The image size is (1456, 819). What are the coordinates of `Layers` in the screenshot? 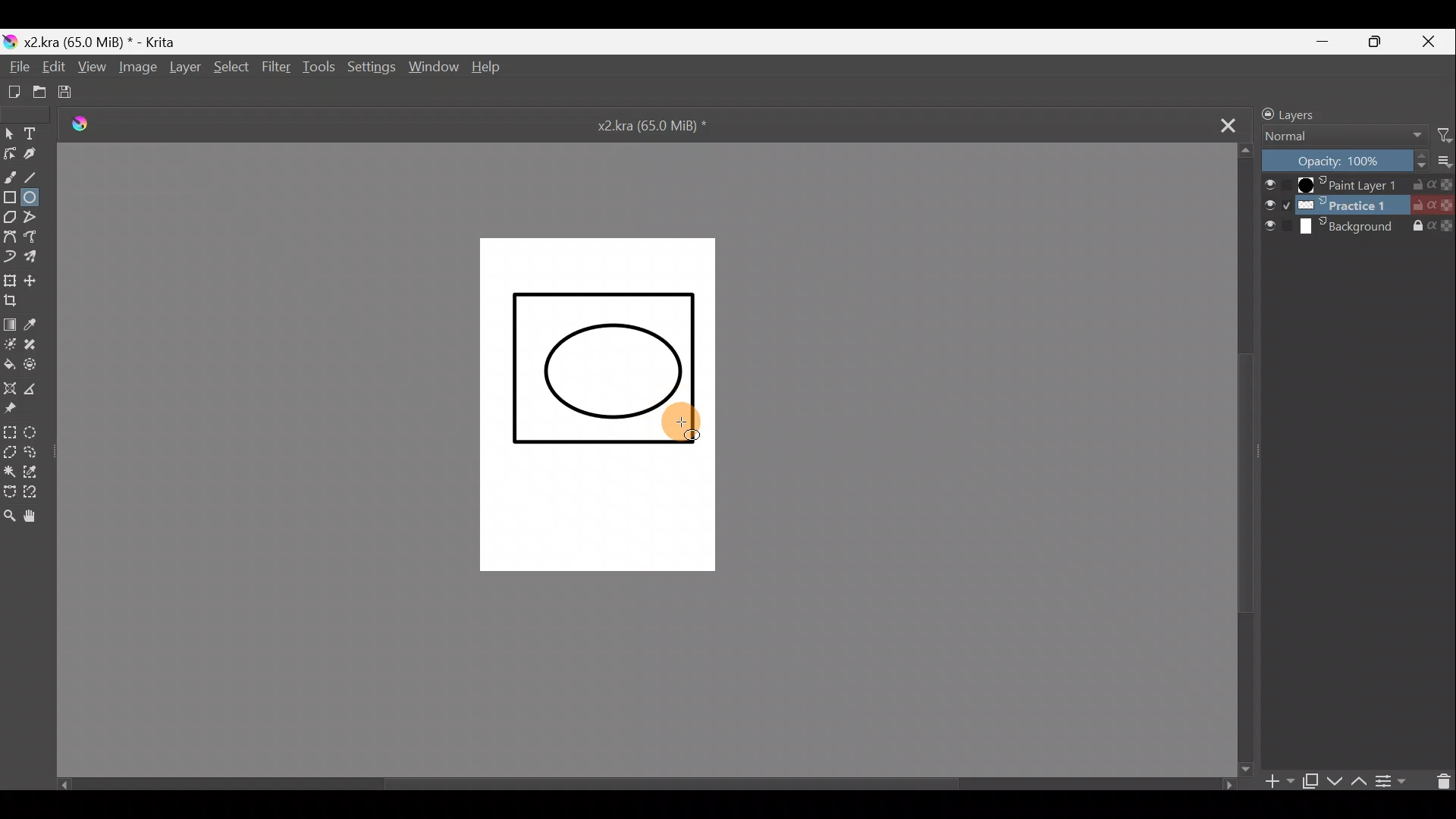 It's located at (1304, 113).